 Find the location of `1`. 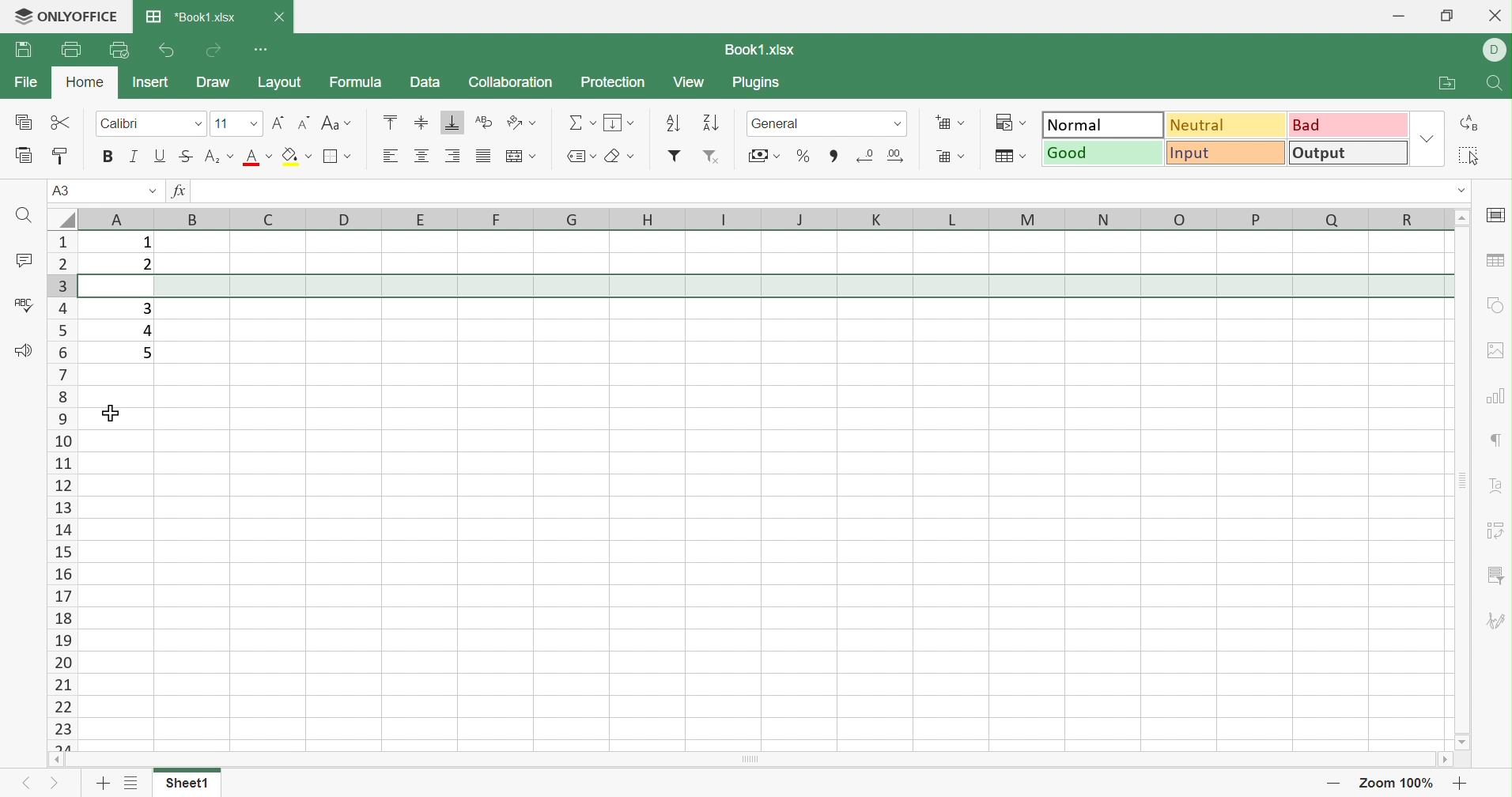

1 is located at coordinates (146, 242).